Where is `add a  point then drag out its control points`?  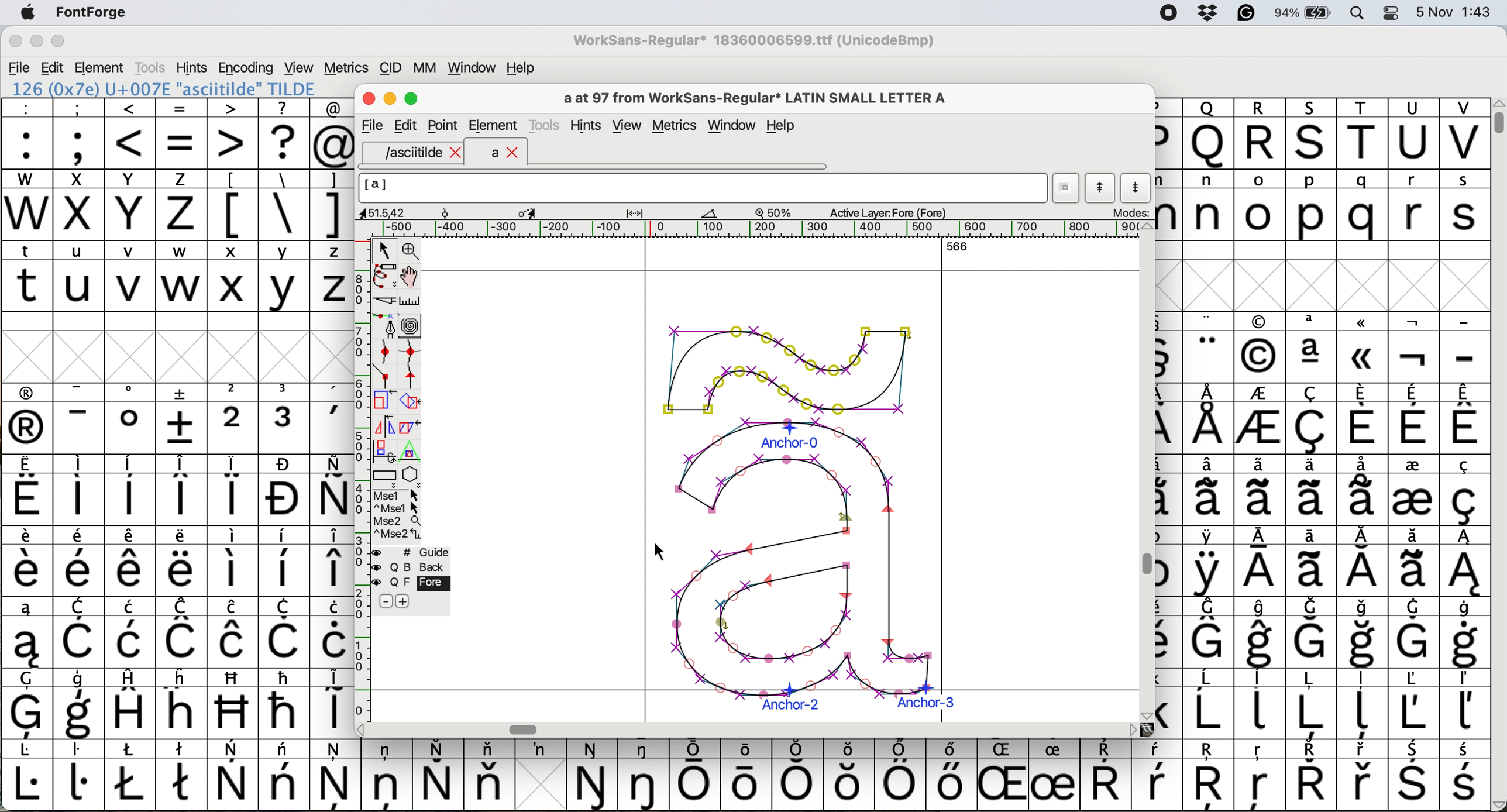
add a  point then drag out its control points is located at coordinates (386, 325).